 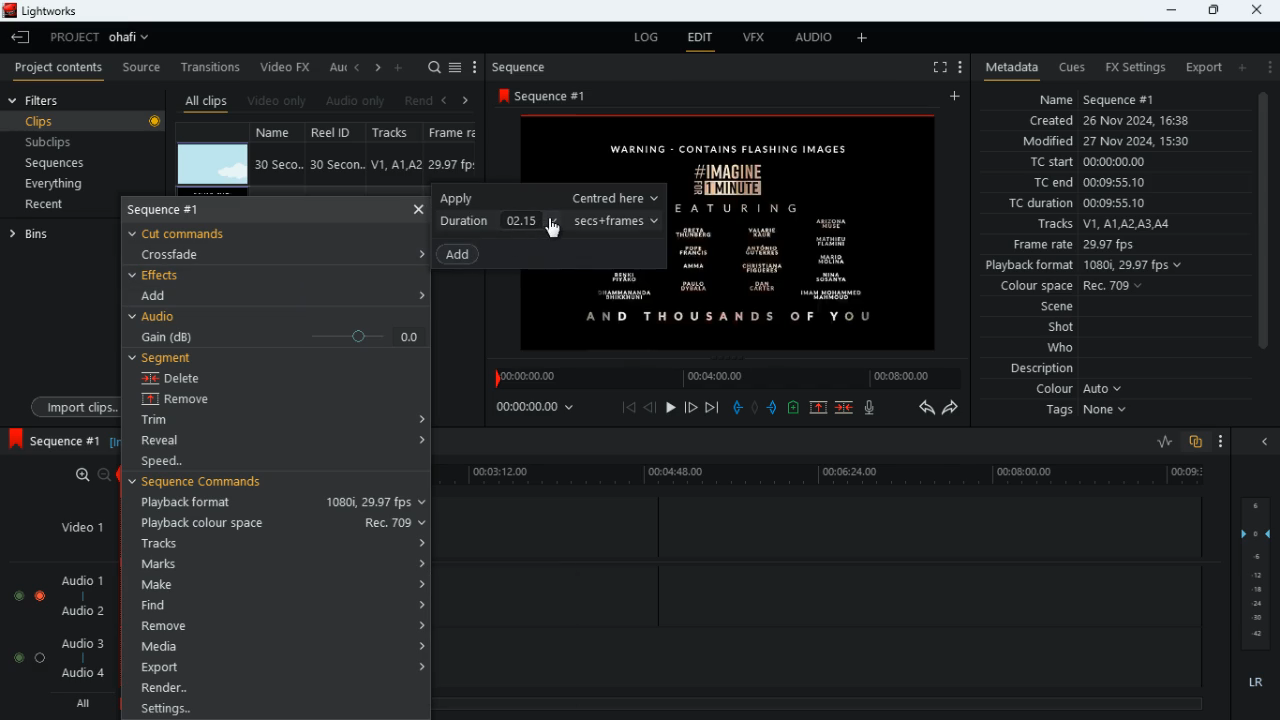 What do you see at coordinates (86, 122) in the screenshot?
I see `clips` at bounding box center [86, 122].